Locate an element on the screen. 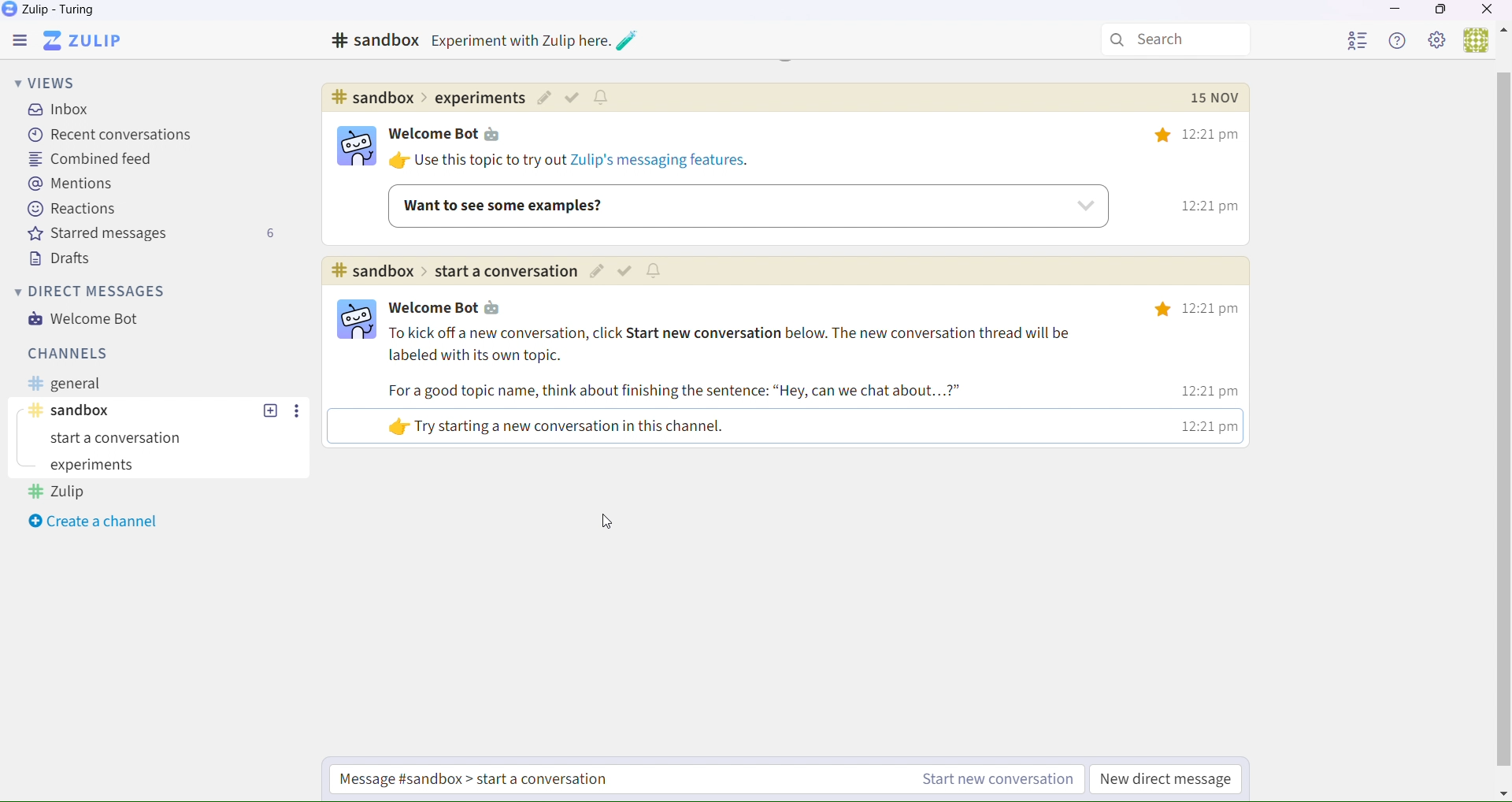  Help is located at coordinates (1399, 42).